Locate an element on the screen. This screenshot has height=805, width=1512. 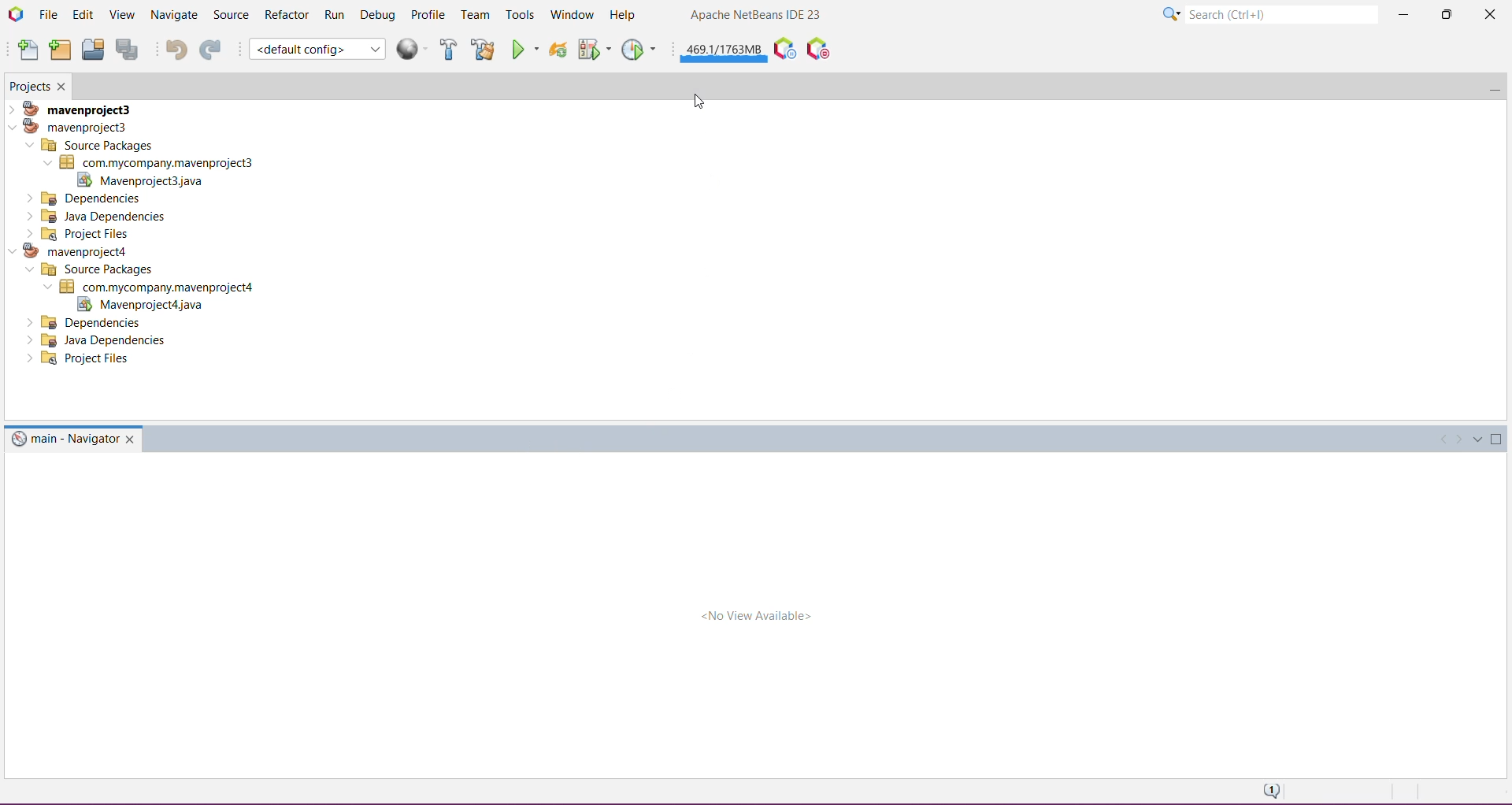
Source Packages is located at coordinates (91, 145).